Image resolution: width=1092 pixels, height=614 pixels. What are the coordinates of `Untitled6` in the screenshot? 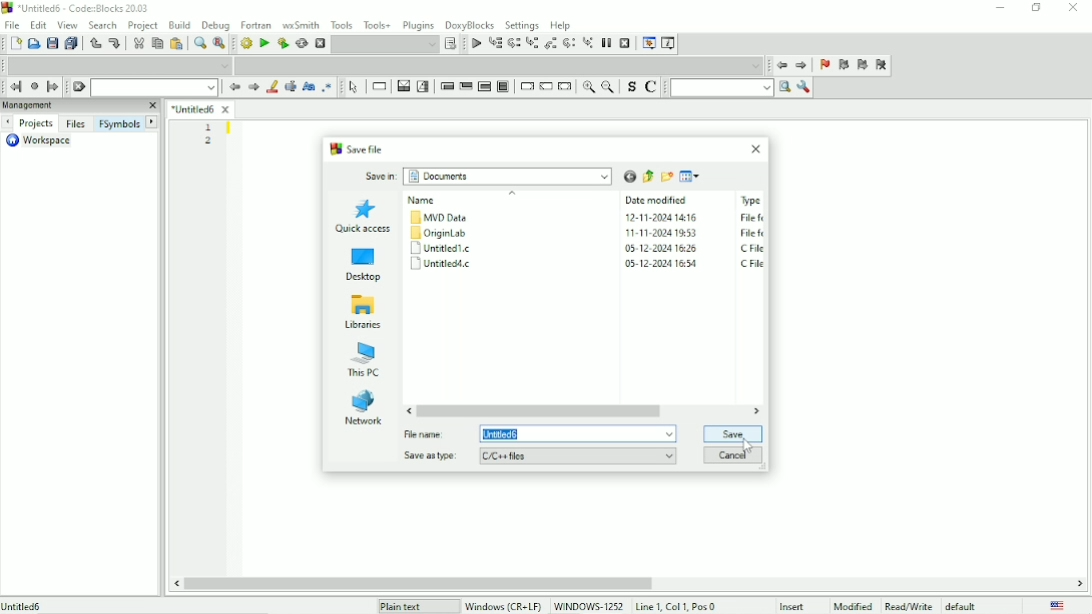 It's located at (202, 108).